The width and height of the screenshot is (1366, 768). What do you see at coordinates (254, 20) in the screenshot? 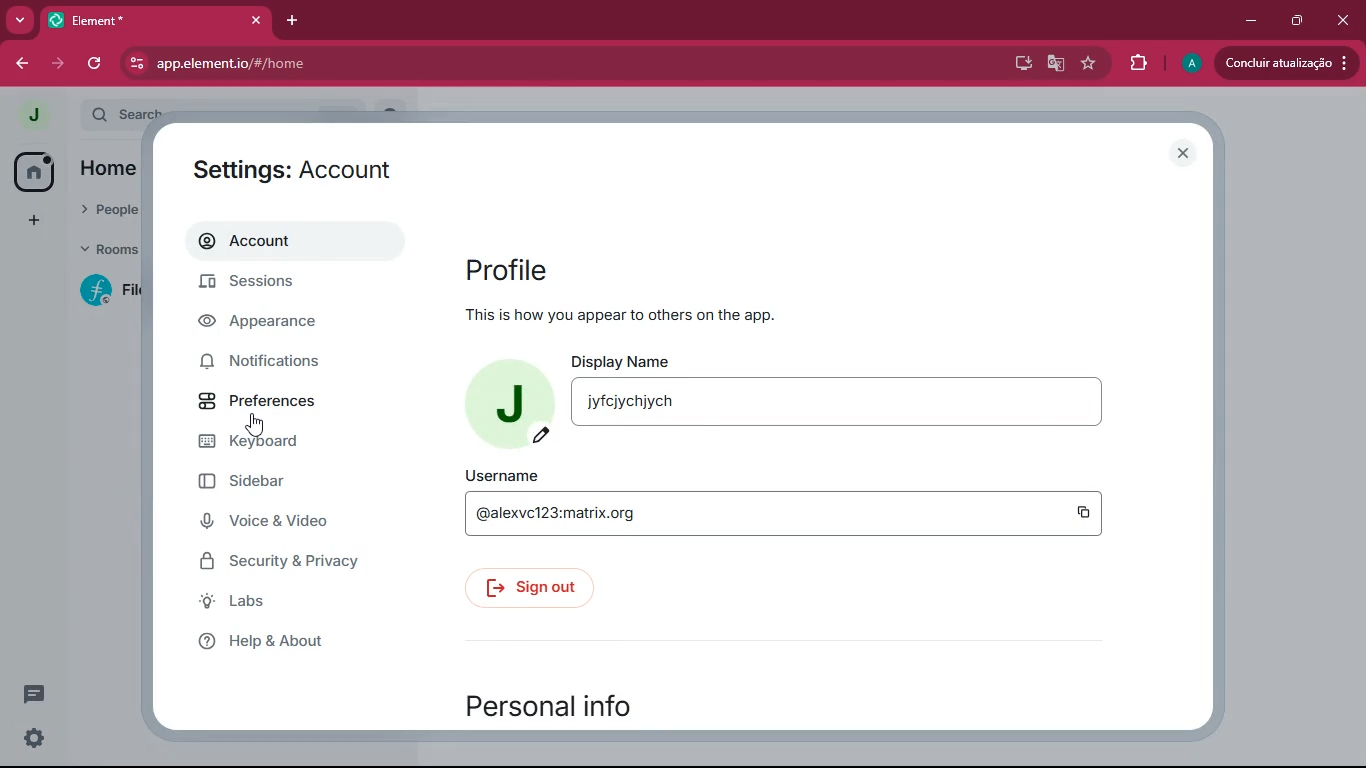
I see `close` at bounding box center [254, 20].